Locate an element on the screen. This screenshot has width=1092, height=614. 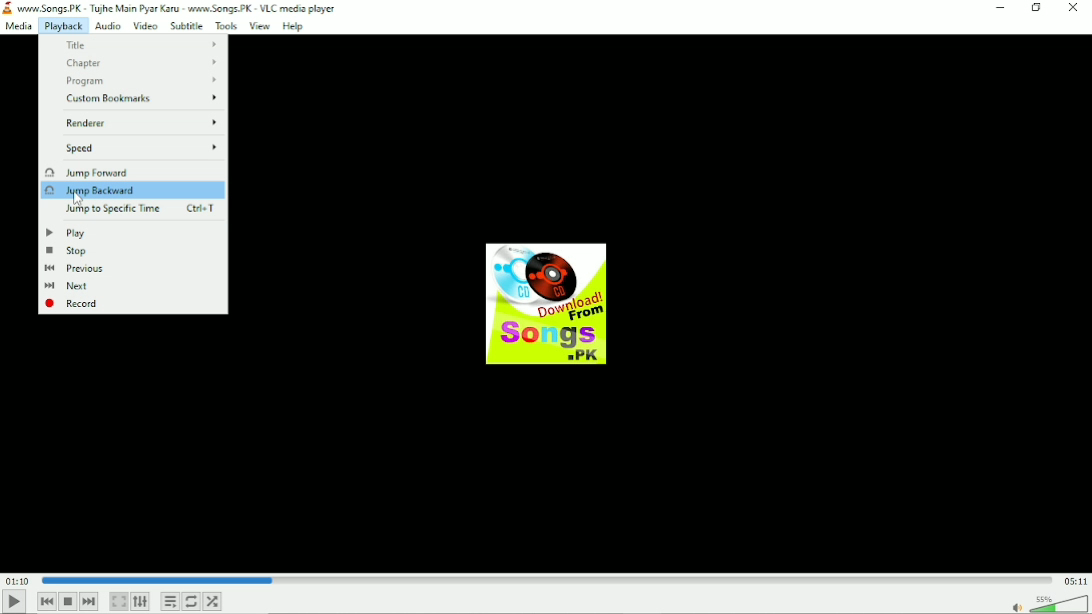
Previous is located at coordinates (76, 269).